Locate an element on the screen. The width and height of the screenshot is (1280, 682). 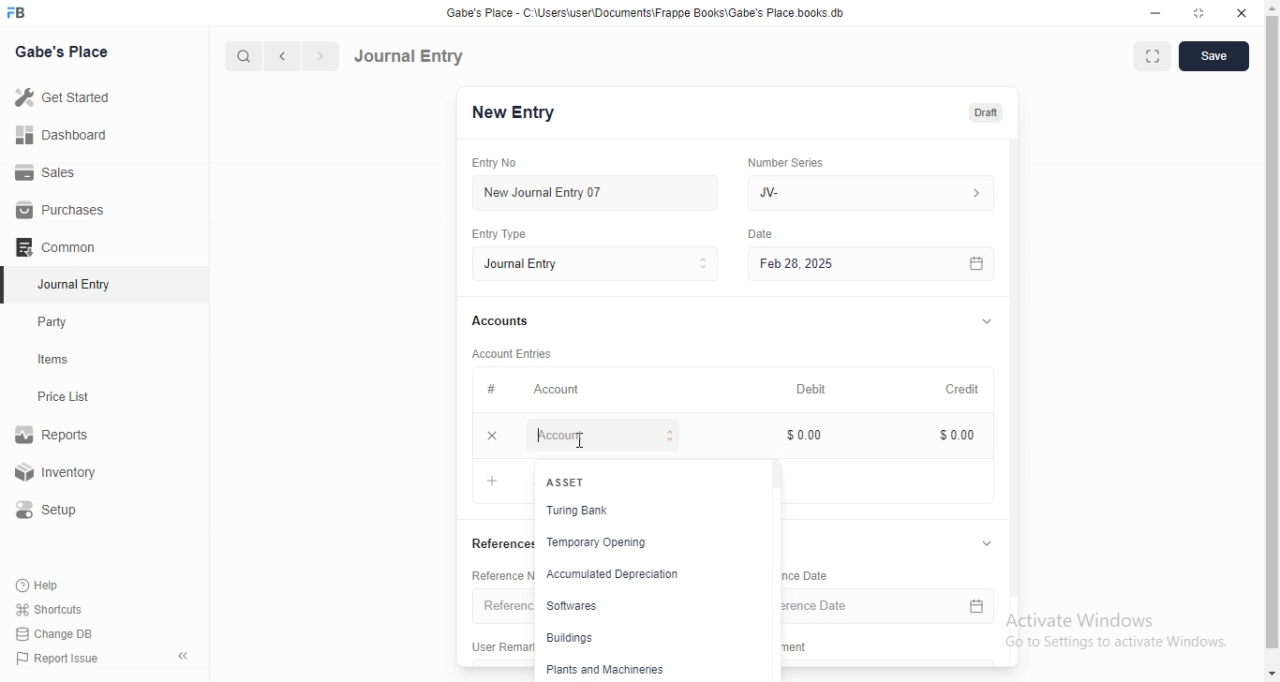
Accounts is located at coordinates (506, 321).